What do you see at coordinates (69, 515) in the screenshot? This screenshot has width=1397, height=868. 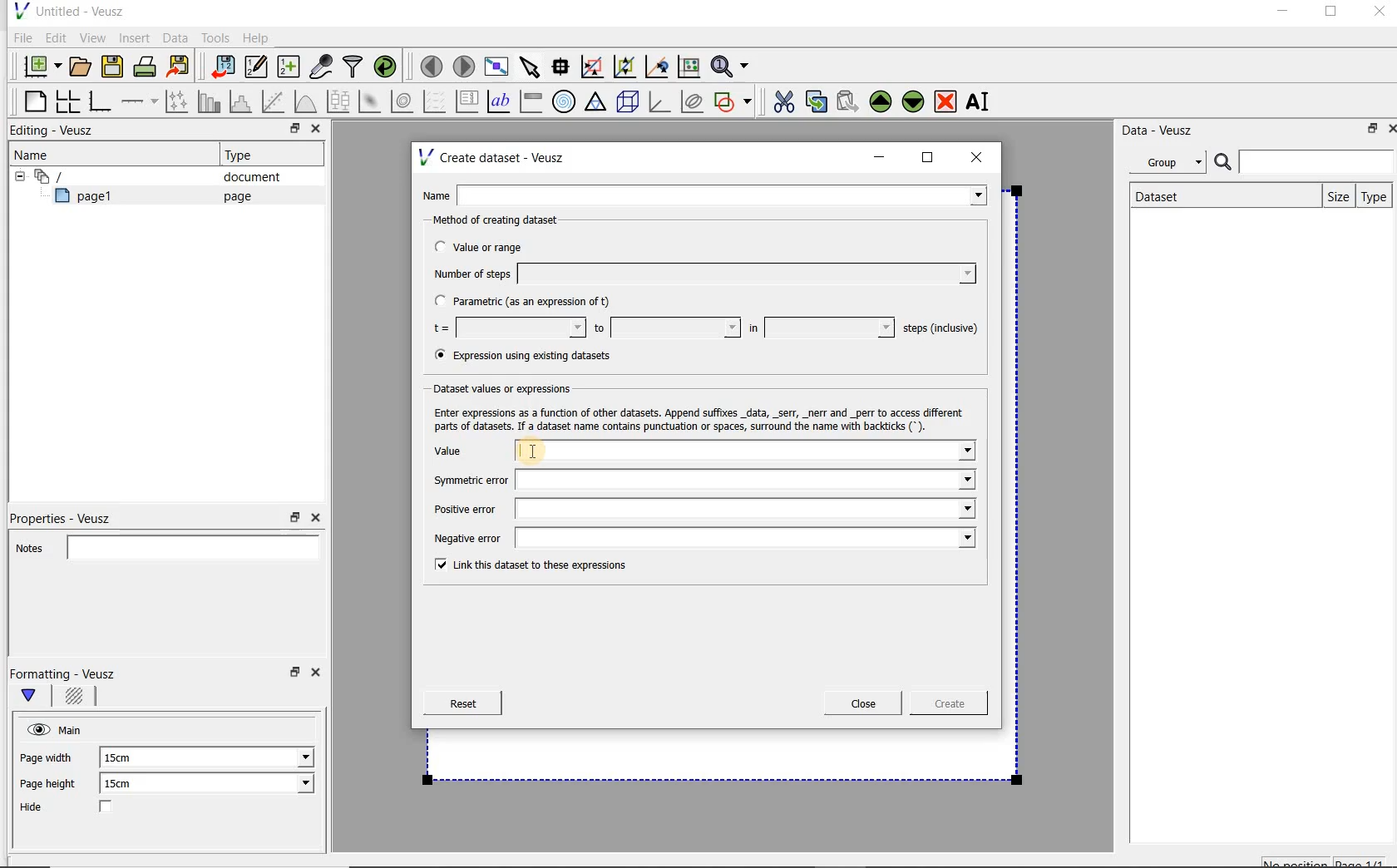 I see `Properties - Veusz` at bounding box center [69, 515].